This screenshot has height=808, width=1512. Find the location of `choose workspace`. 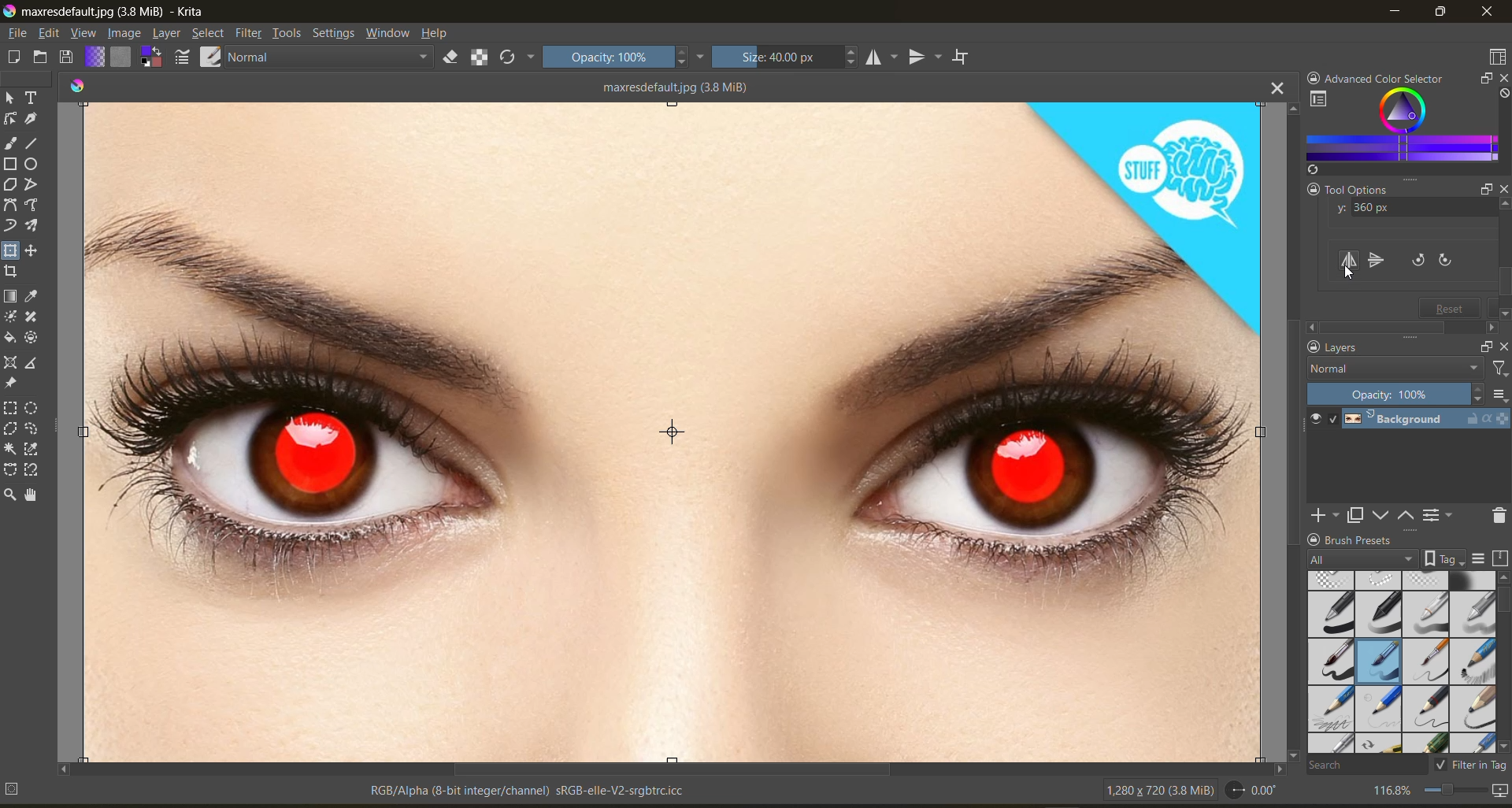

choose workspace is located at coordinates (1496, 57).